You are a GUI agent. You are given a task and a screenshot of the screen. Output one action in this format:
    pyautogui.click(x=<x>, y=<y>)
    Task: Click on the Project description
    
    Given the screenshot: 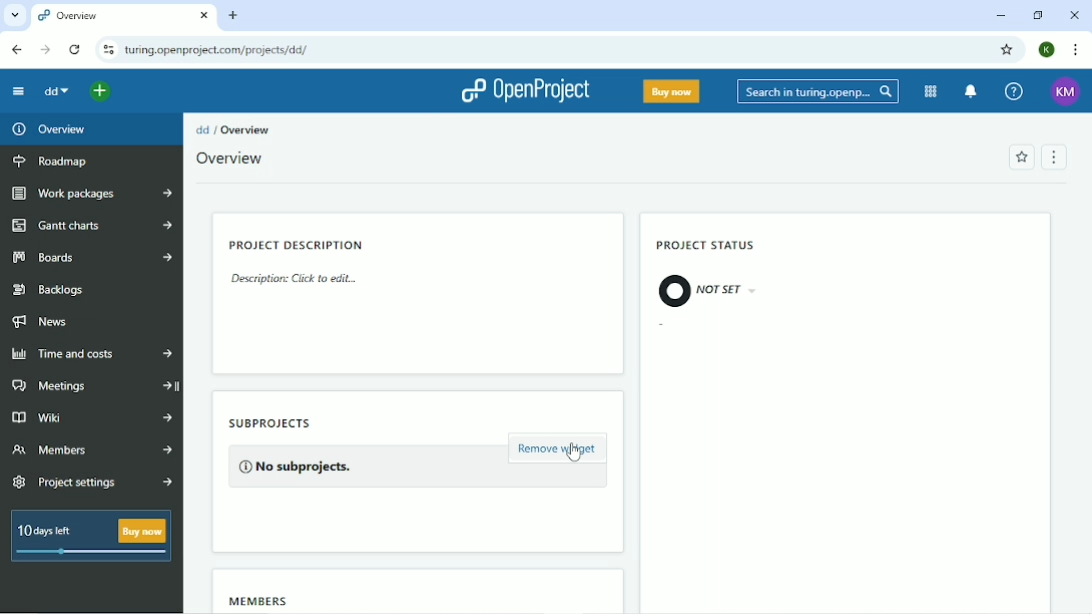 What is the action you would take?
    pyautogui.click(x=298, y=243)
    